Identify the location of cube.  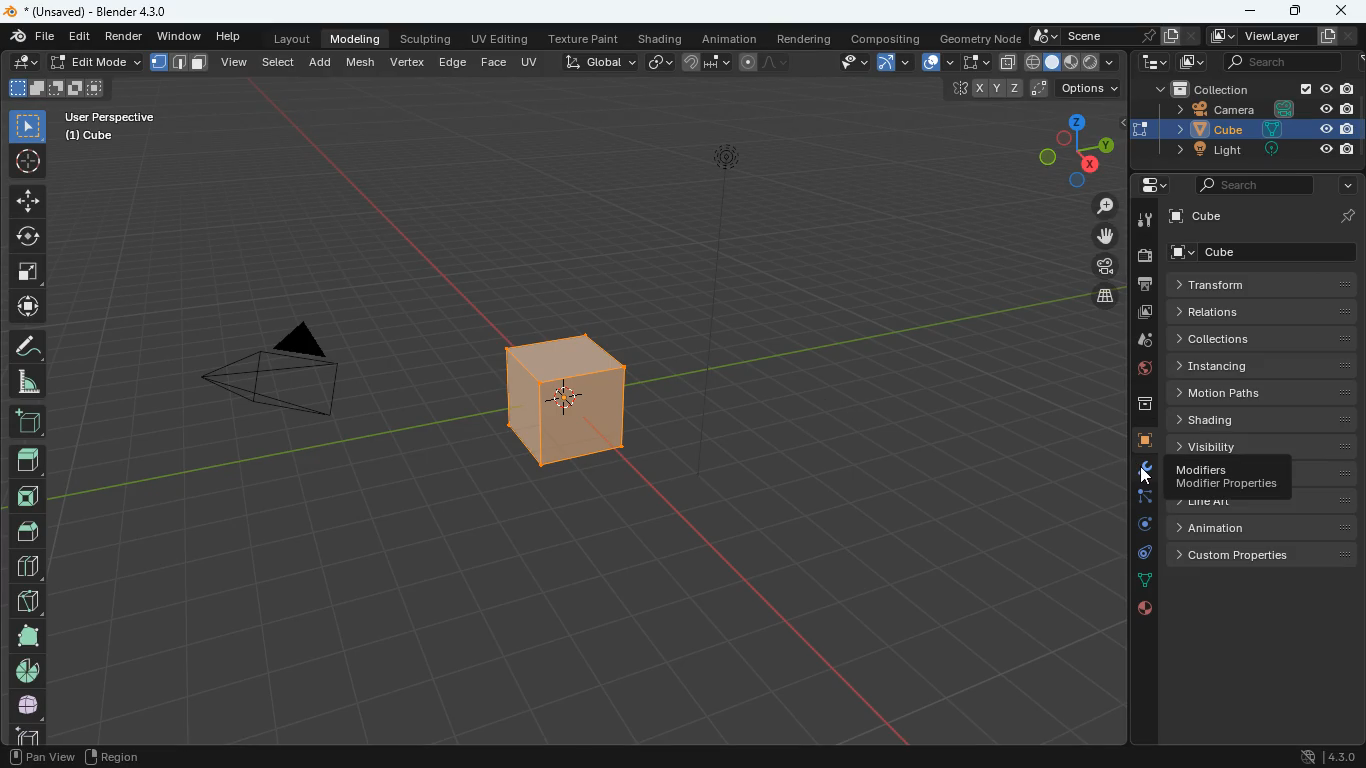
(1264, 215).